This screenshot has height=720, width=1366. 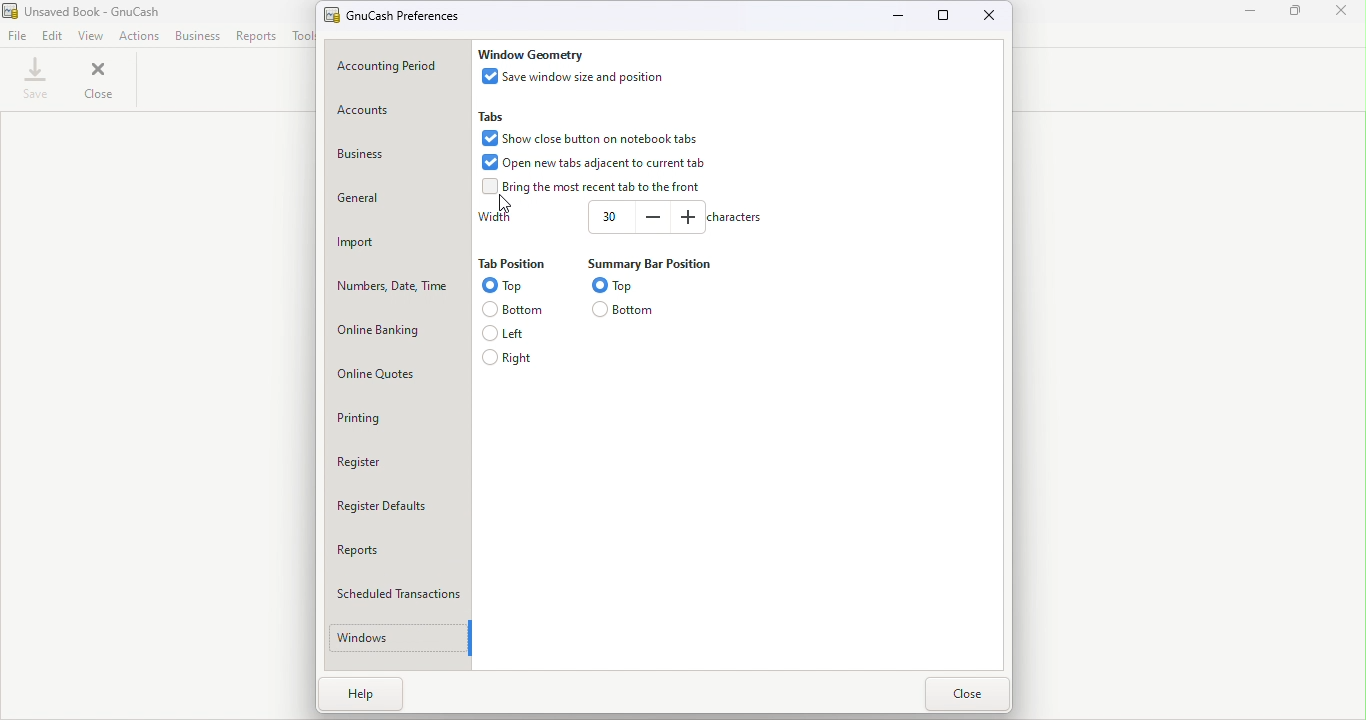 What do you see at coordinates (900, 15) in the screenshot?
I see `Minimize` at bounding box center [900, 15].